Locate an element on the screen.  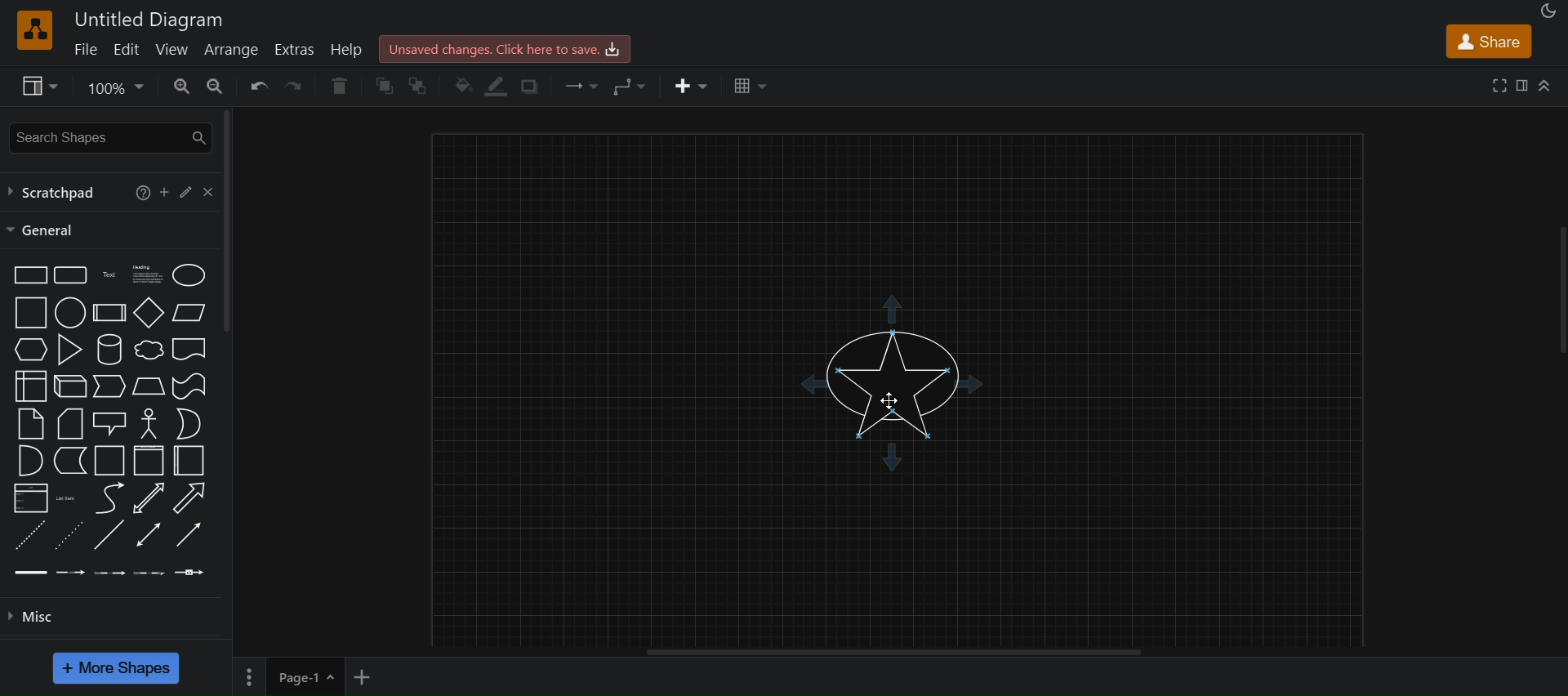
text is located at coordinates (109, 274).